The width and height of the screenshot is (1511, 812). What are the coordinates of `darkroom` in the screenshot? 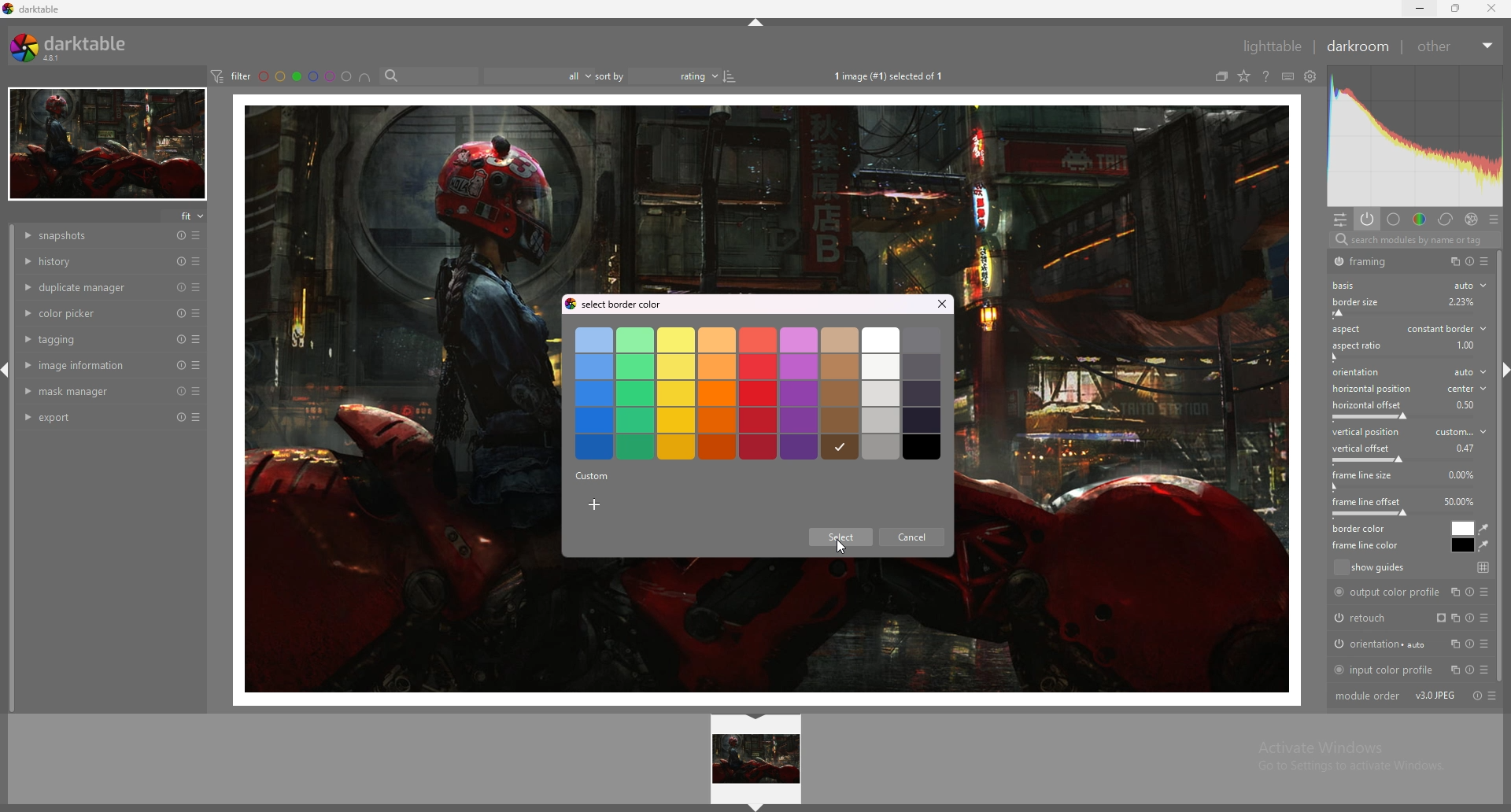 It's located at (1357, 46).